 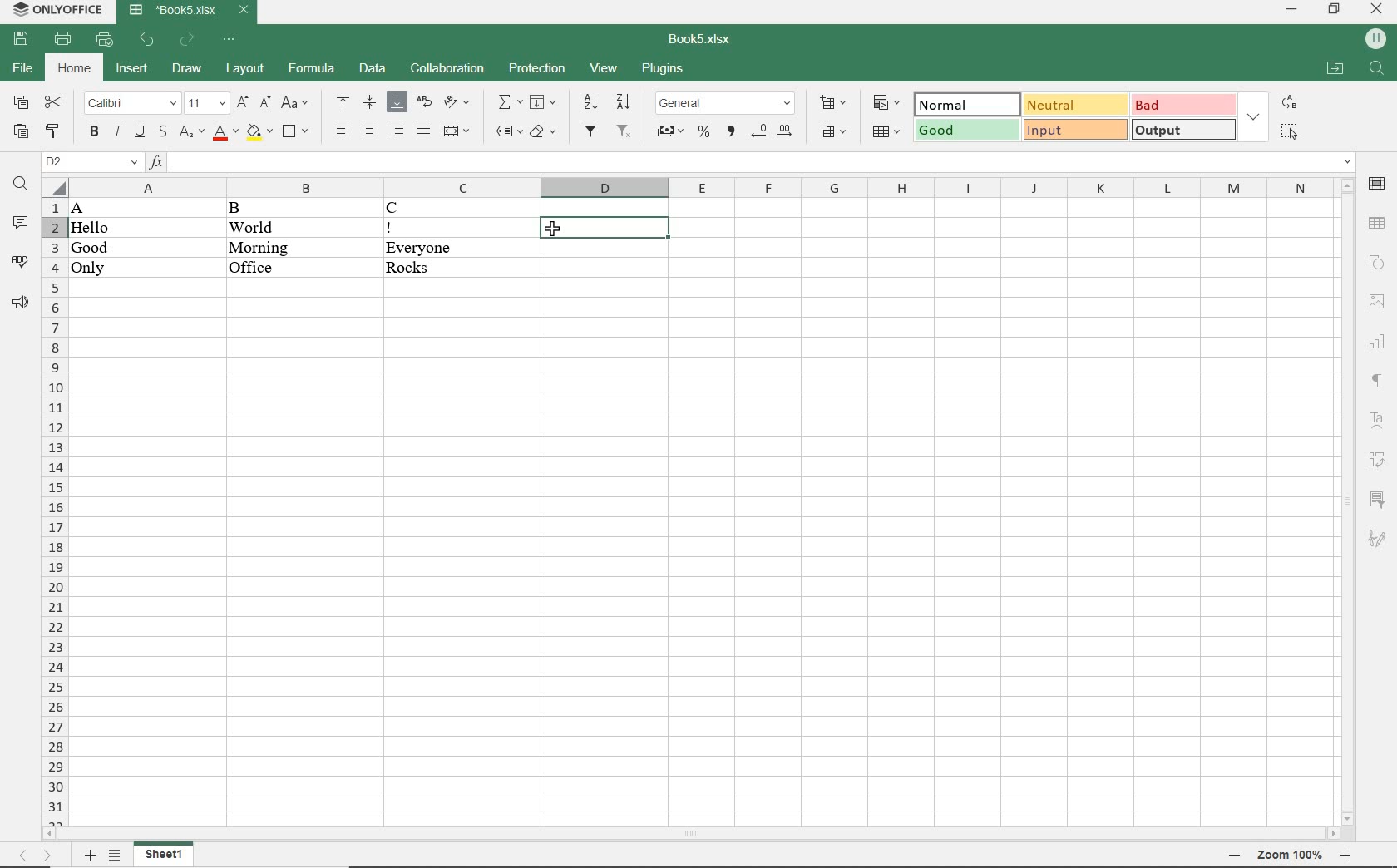 What do you see at coordinates (1379, 343) in the screenshot?
I see `chart` at bounding box center [1379, 343].